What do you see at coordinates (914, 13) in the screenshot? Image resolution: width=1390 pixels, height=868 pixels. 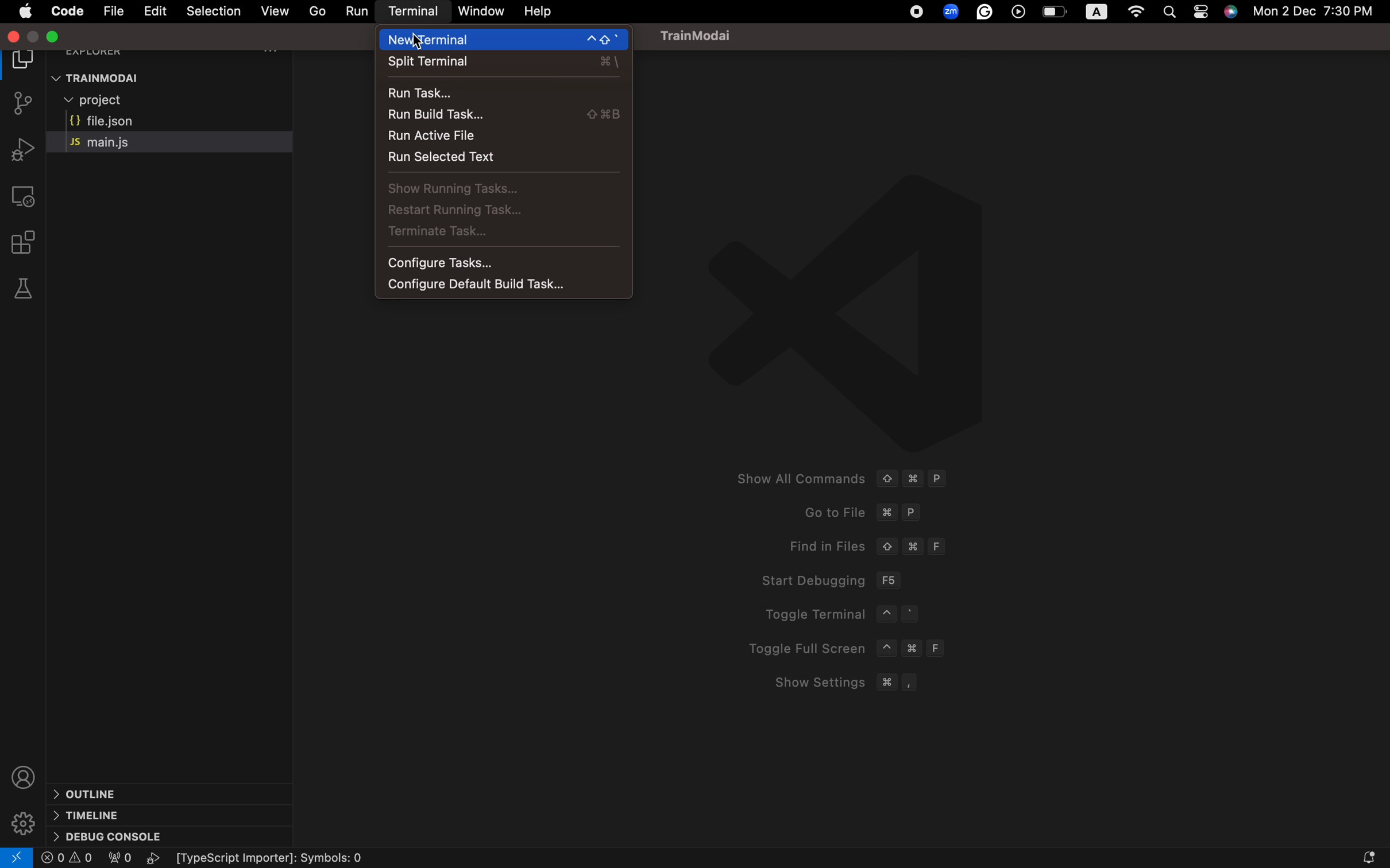 I see `global icons` at bounding box center [914, 13].